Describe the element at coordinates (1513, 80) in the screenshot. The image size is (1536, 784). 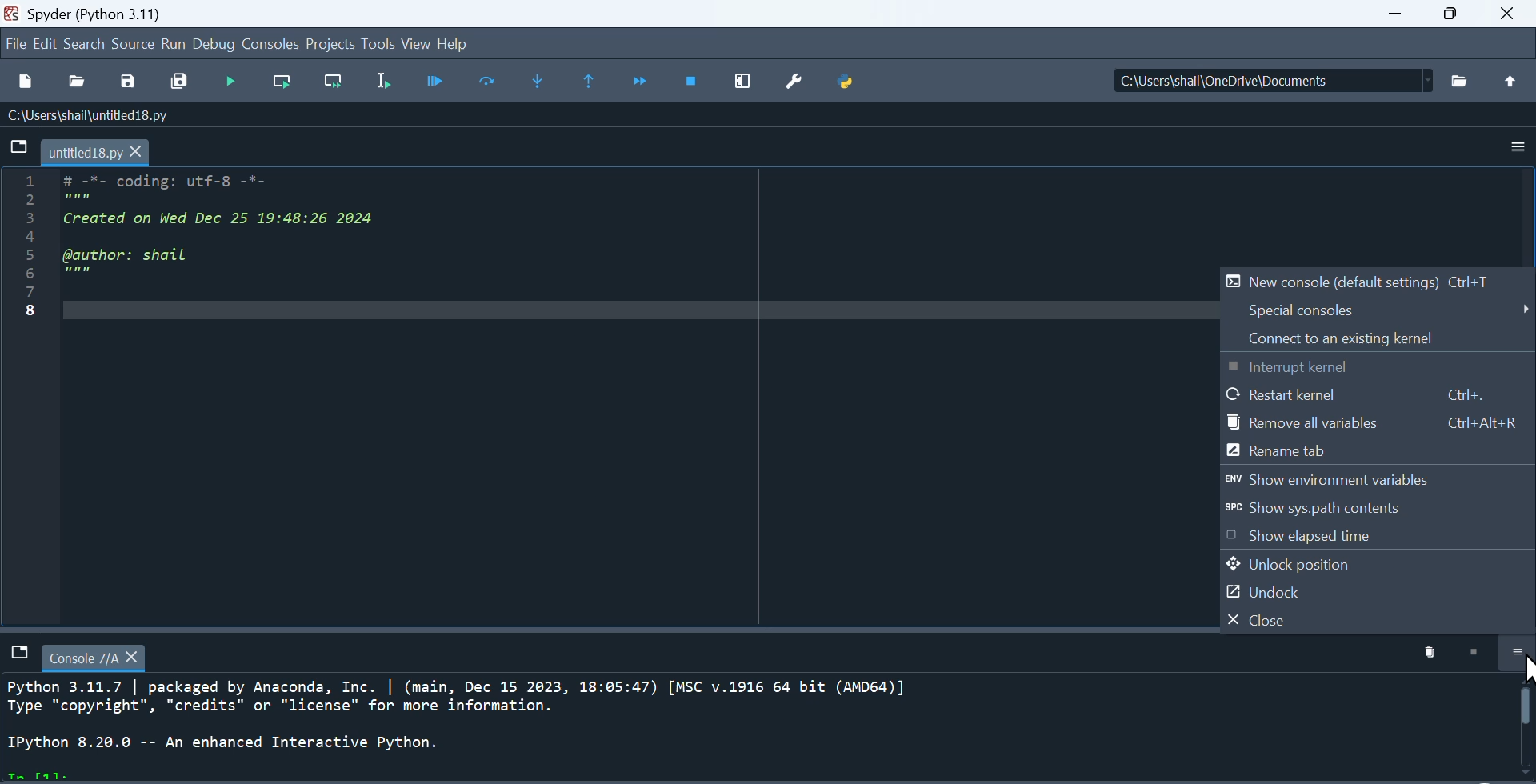
I see `open parent directory` at that location.